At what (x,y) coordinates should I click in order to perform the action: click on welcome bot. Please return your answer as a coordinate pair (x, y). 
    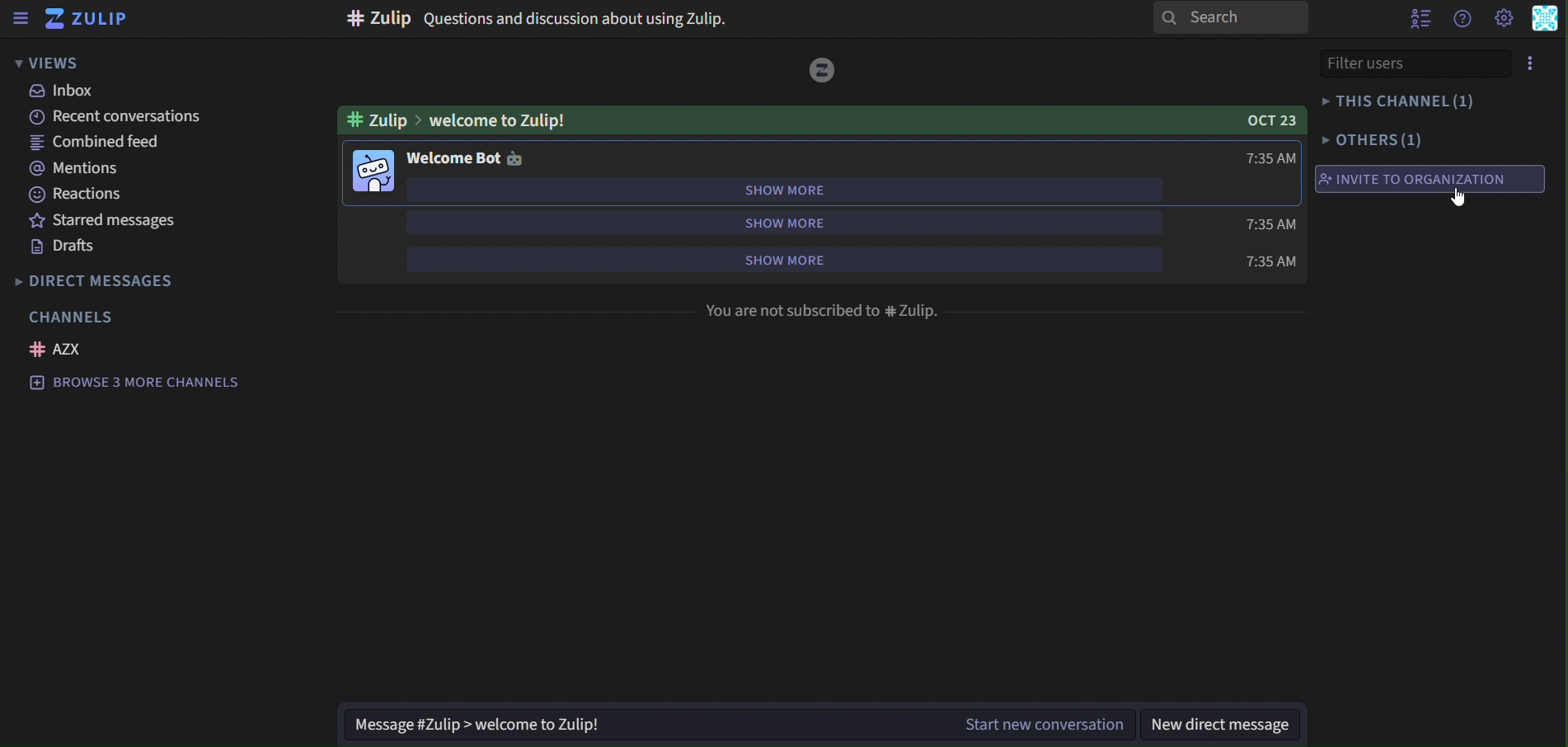
    Looking at the image, I should click on (473, 158).